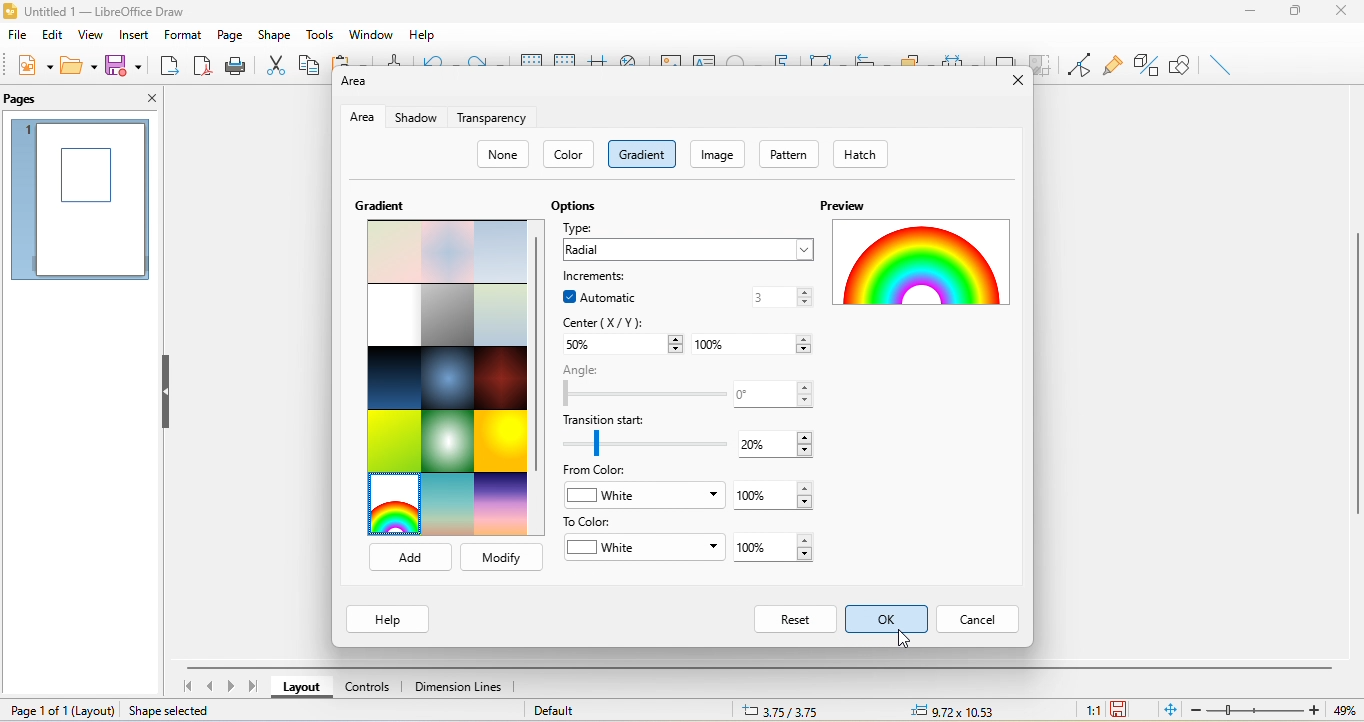 This screenshot has height=722, width=1364. Describe the element at coordinates (208, 686) in the screenshot. I see `previous page` at that location.